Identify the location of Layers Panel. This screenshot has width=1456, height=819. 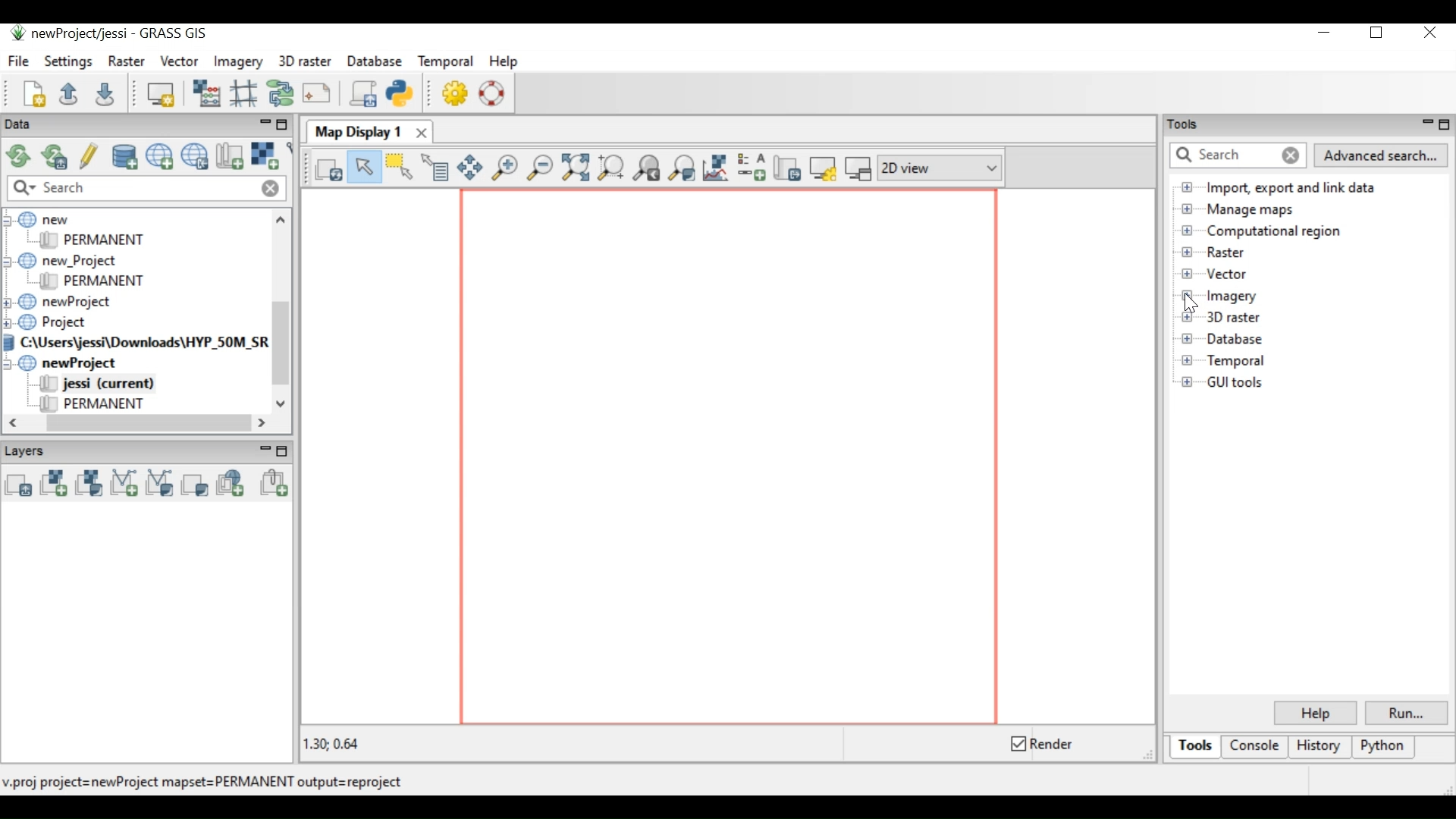
(119, 453).